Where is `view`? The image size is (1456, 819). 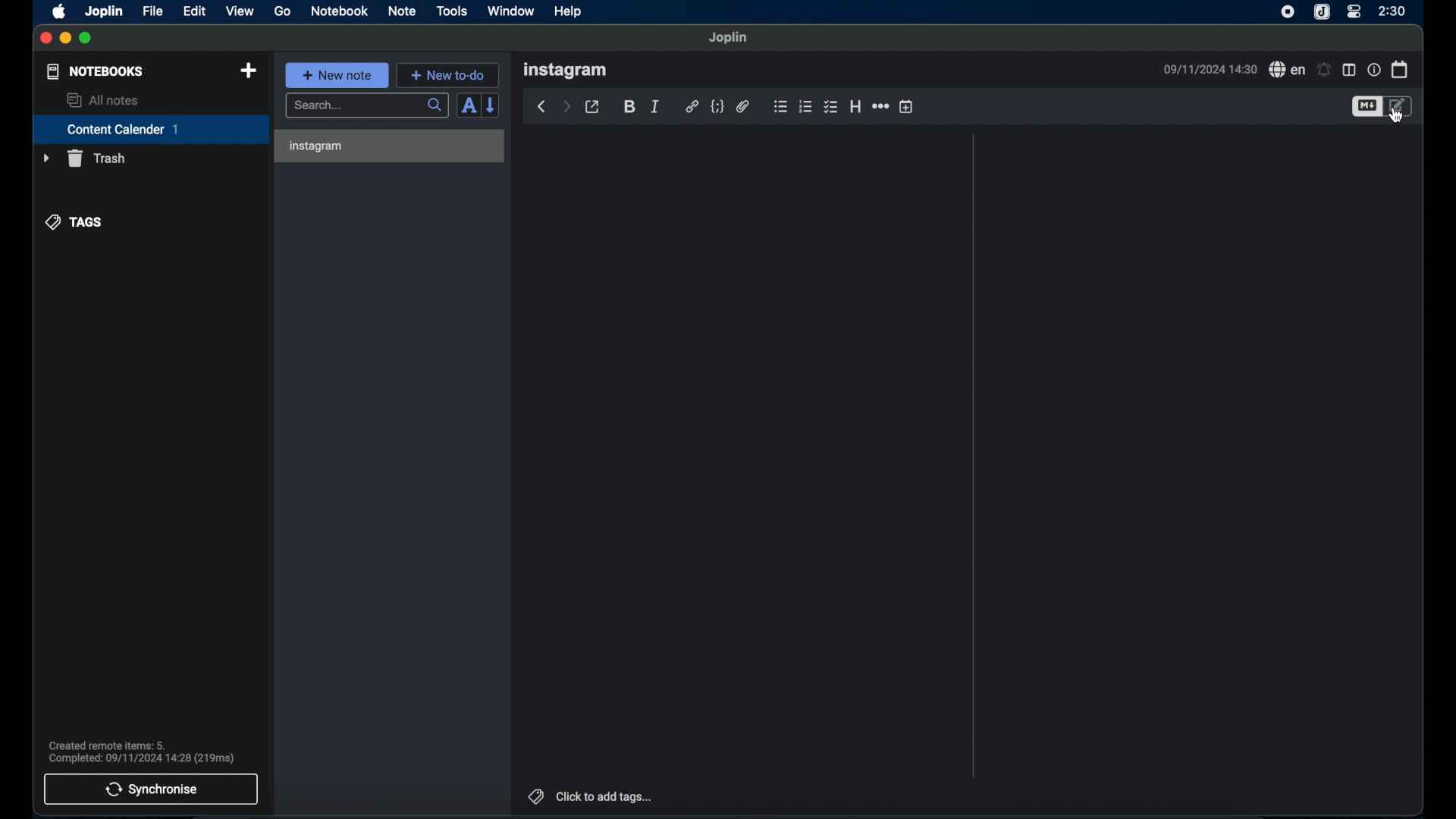
view is located at coordinates (240, 11).